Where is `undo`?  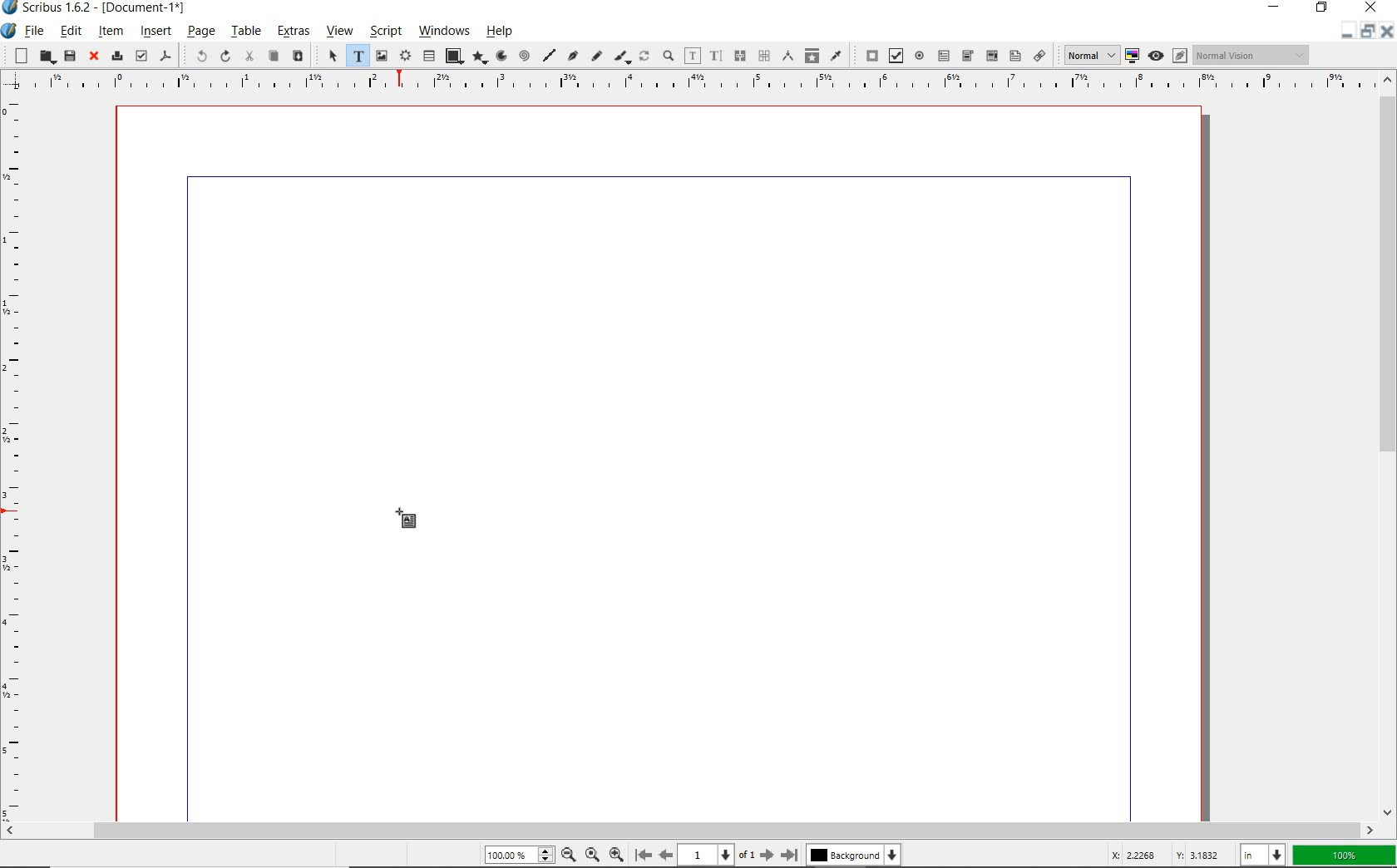 undo is located at coordinates (195, 55).